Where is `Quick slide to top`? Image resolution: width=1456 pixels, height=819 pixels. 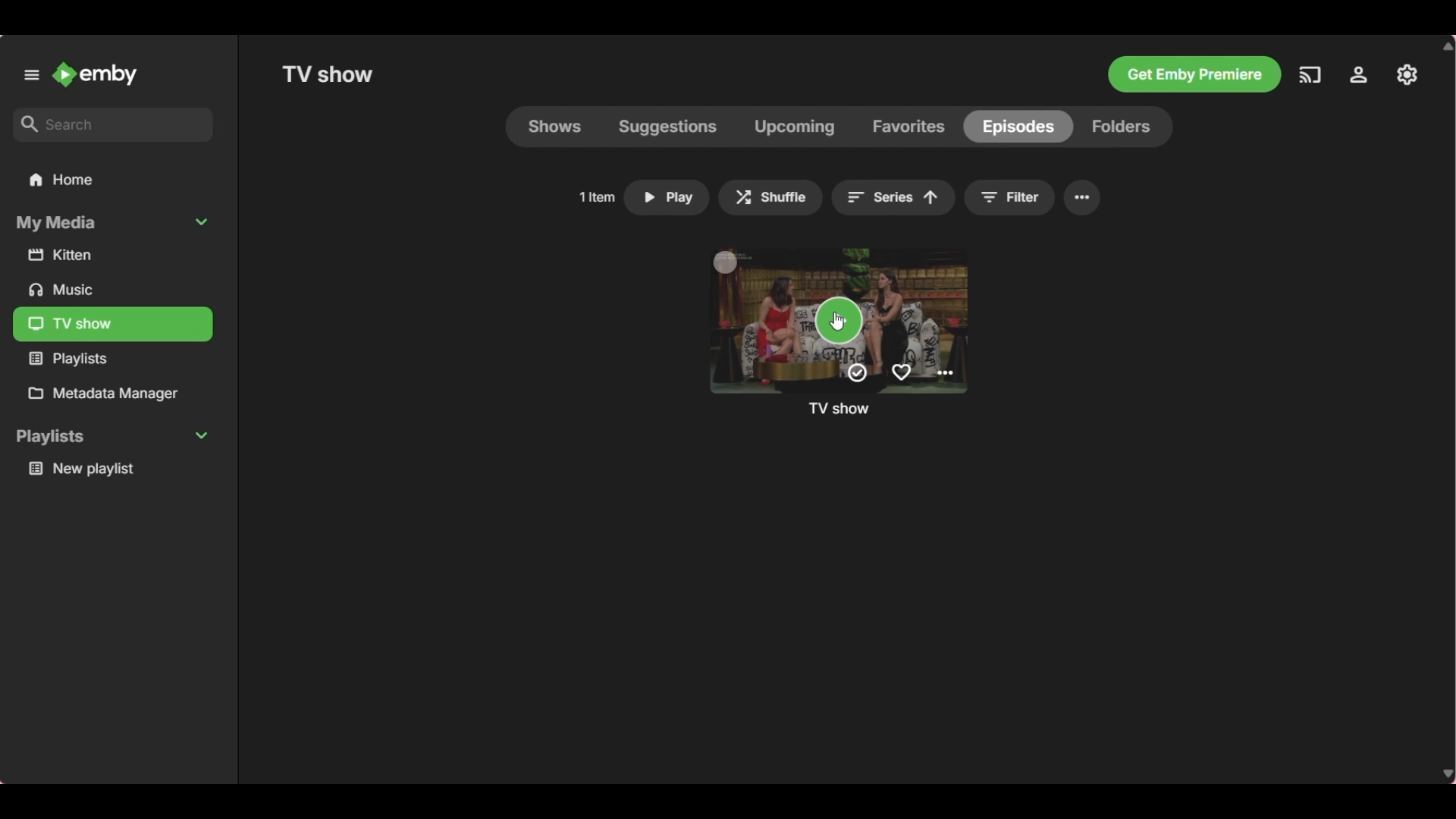
Quick slide to top is located at coordinates (1446, 46).